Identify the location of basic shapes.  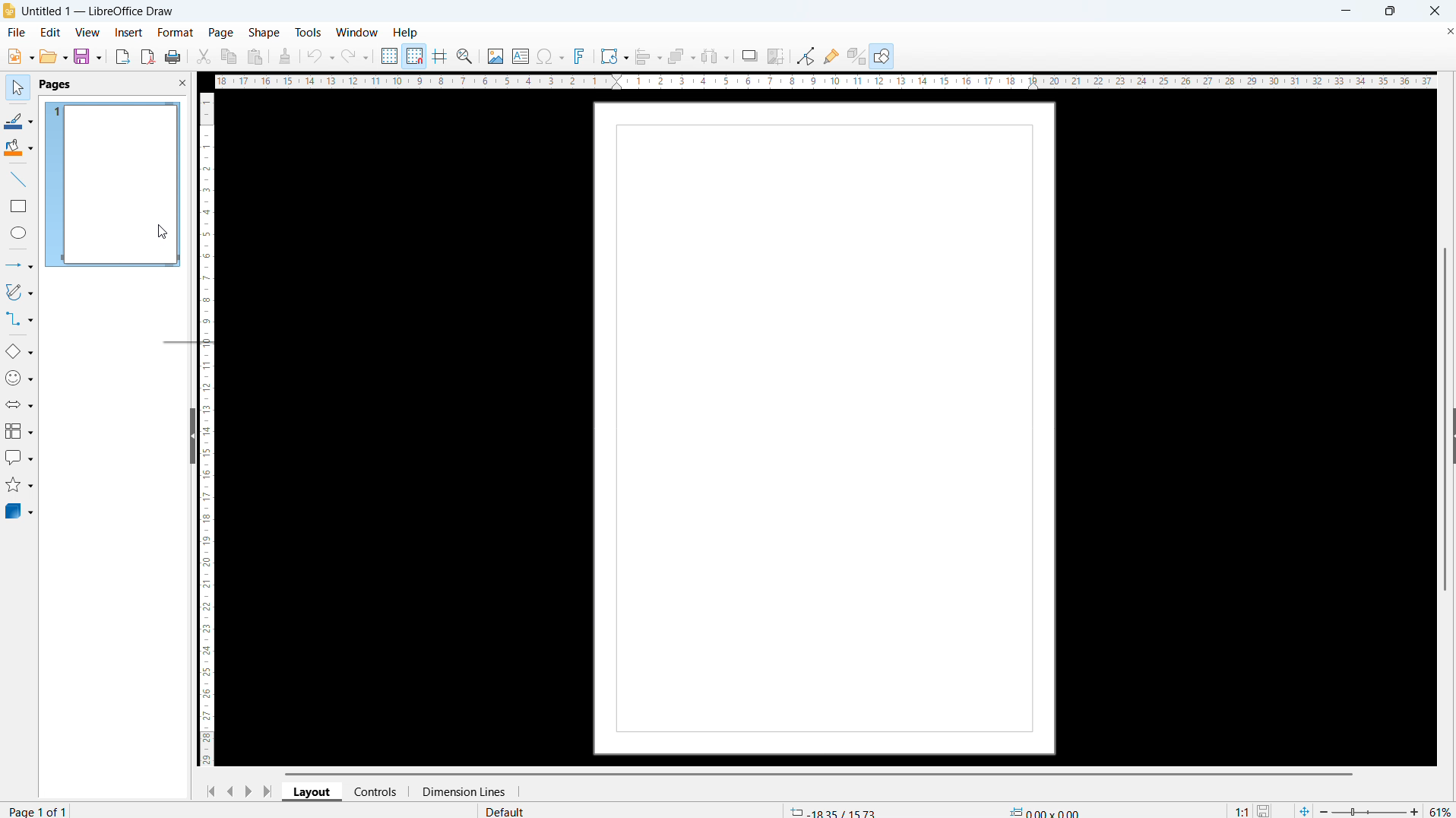
(19, 352).